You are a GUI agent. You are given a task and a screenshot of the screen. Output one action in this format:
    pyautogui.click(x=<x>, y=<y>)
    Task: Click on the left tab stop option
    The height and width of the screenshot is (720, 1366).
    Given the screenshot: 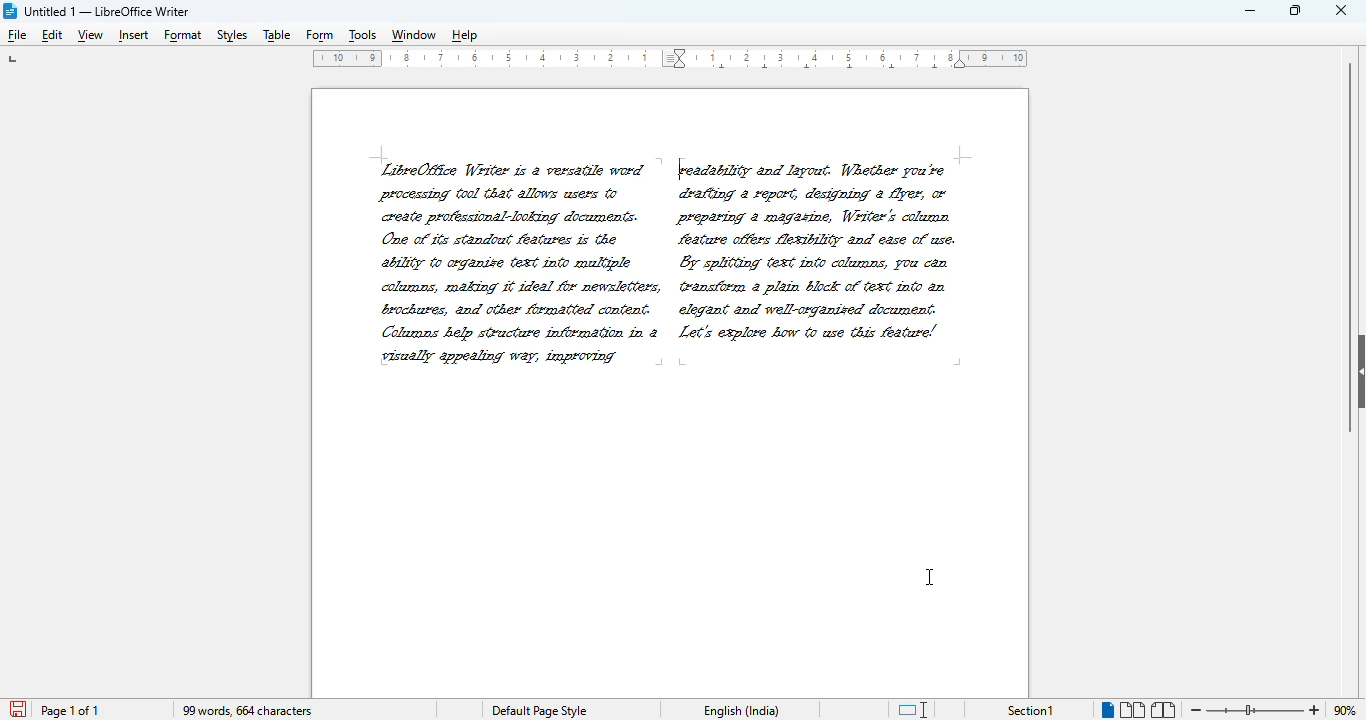 What is the action you would take?
    pyautogui.click(x=16, y=59)
    